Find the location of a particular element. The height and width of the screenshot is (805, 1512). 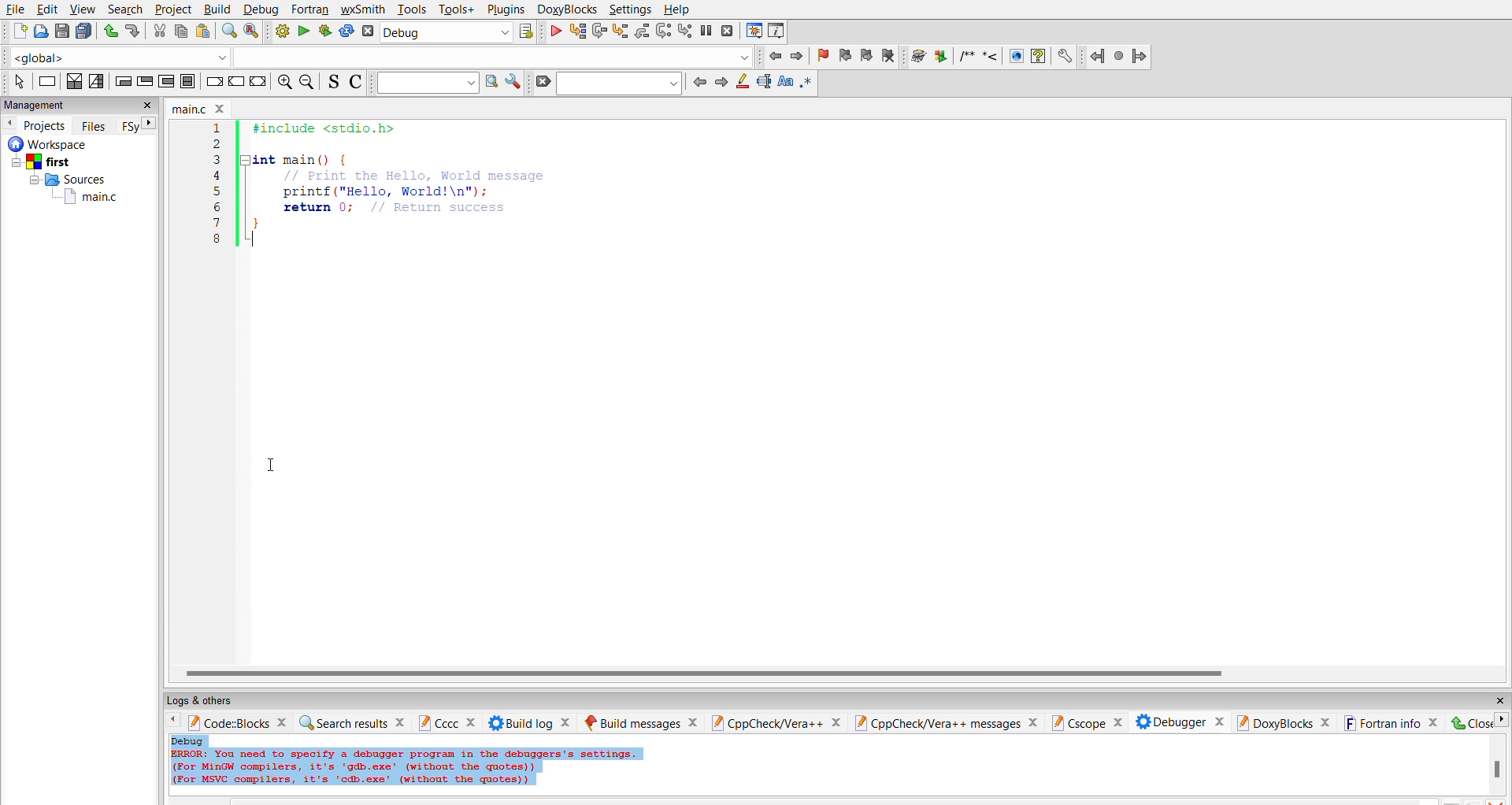

fortran is located at coordinates (309, 9).